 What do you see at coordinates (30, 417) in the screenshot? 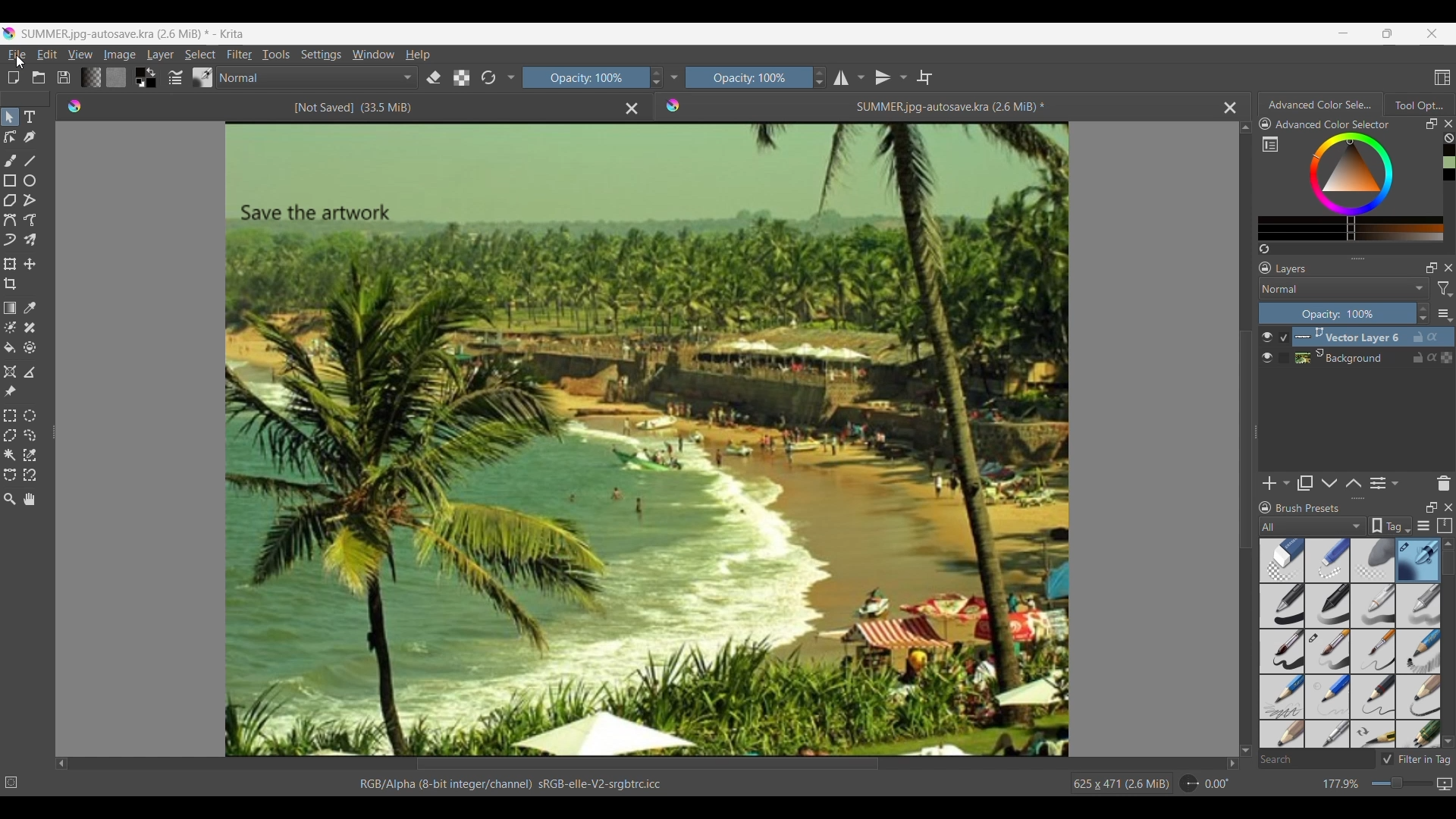
I see `Elliptical selection tool` at bounding box center [30, 417].